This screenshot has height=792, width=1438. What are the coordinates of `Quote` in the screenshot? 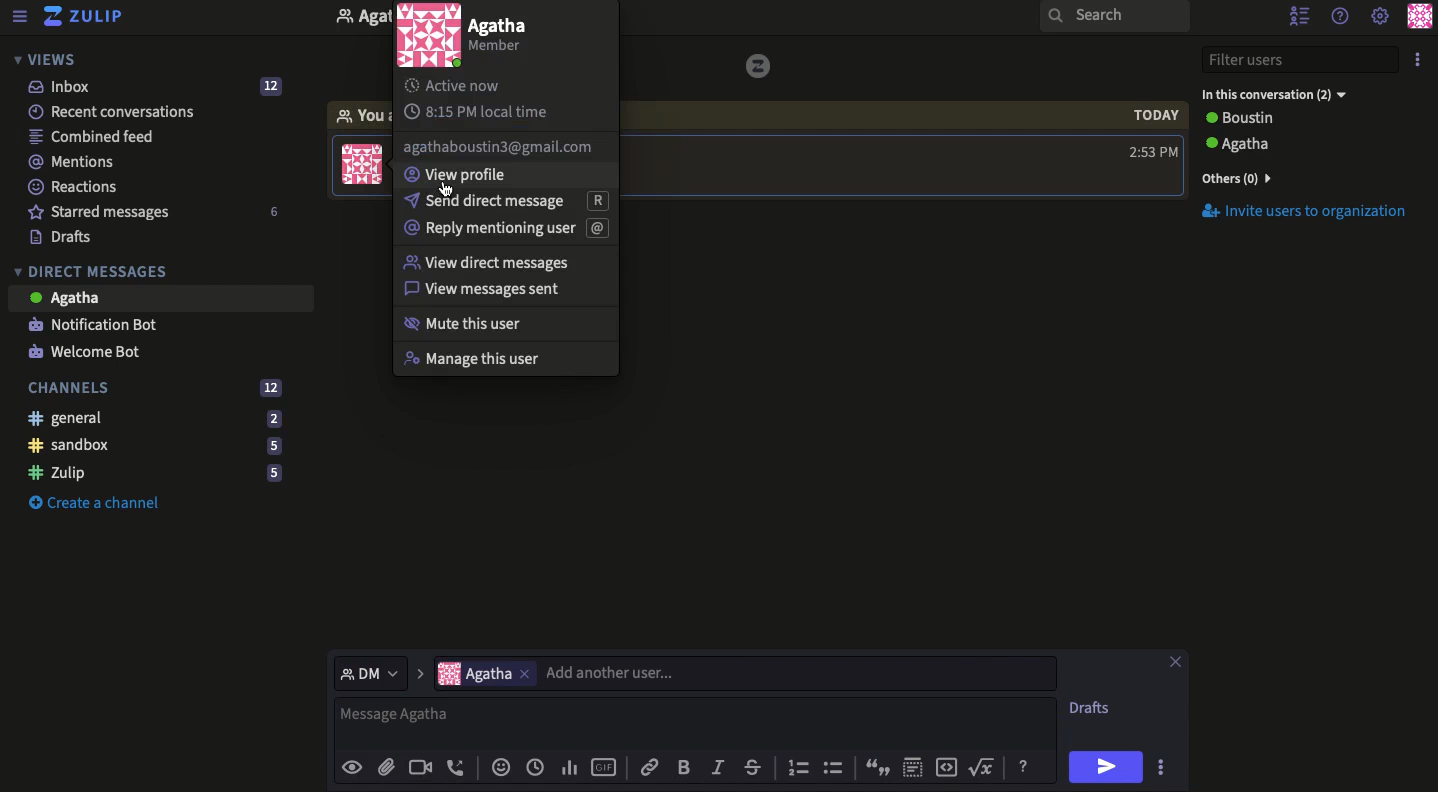 It's located at (880, 766).